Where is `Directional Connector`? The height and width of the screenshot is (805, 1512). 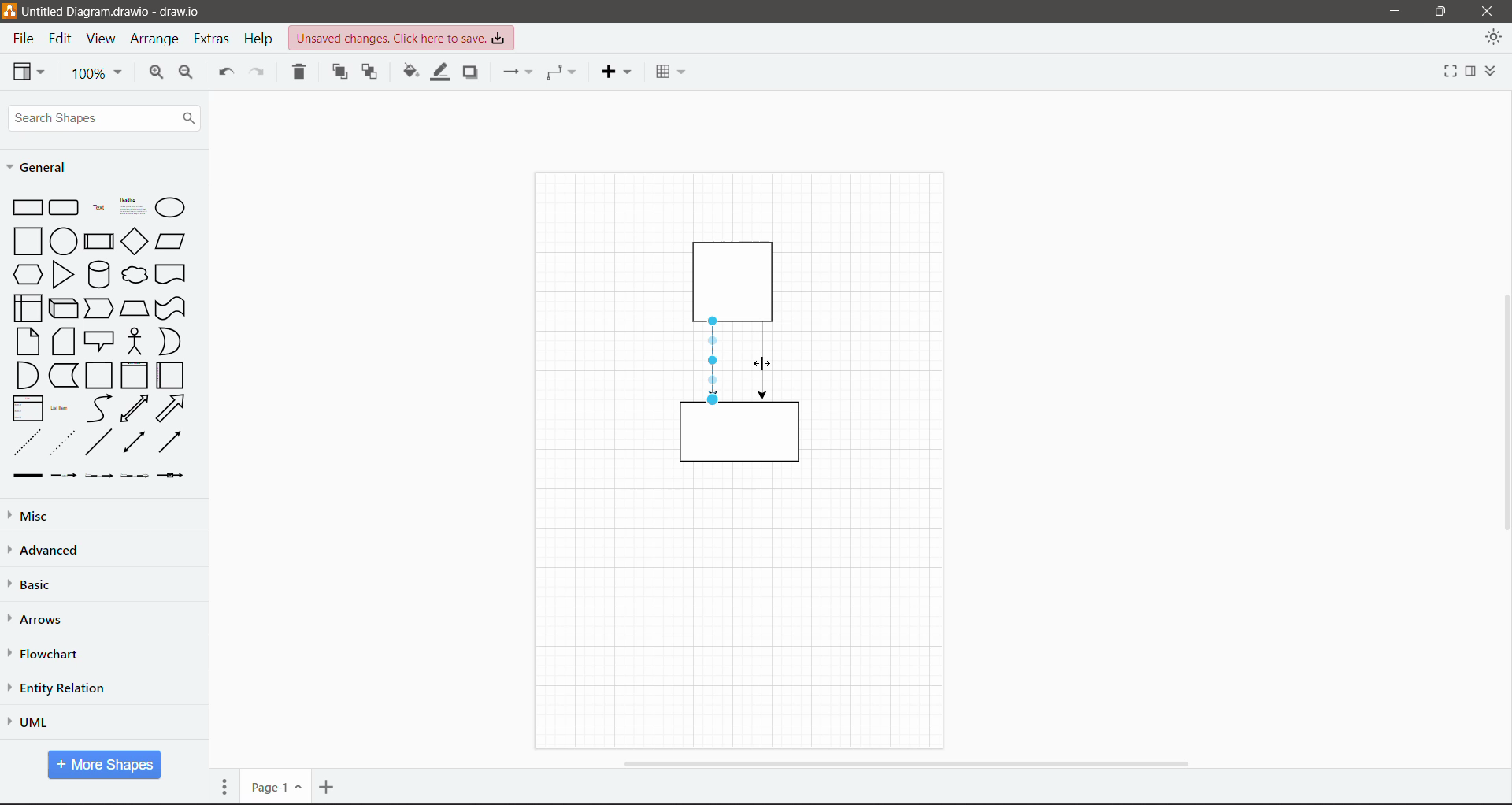
Directional Connector is located at coordinates (714, 362).